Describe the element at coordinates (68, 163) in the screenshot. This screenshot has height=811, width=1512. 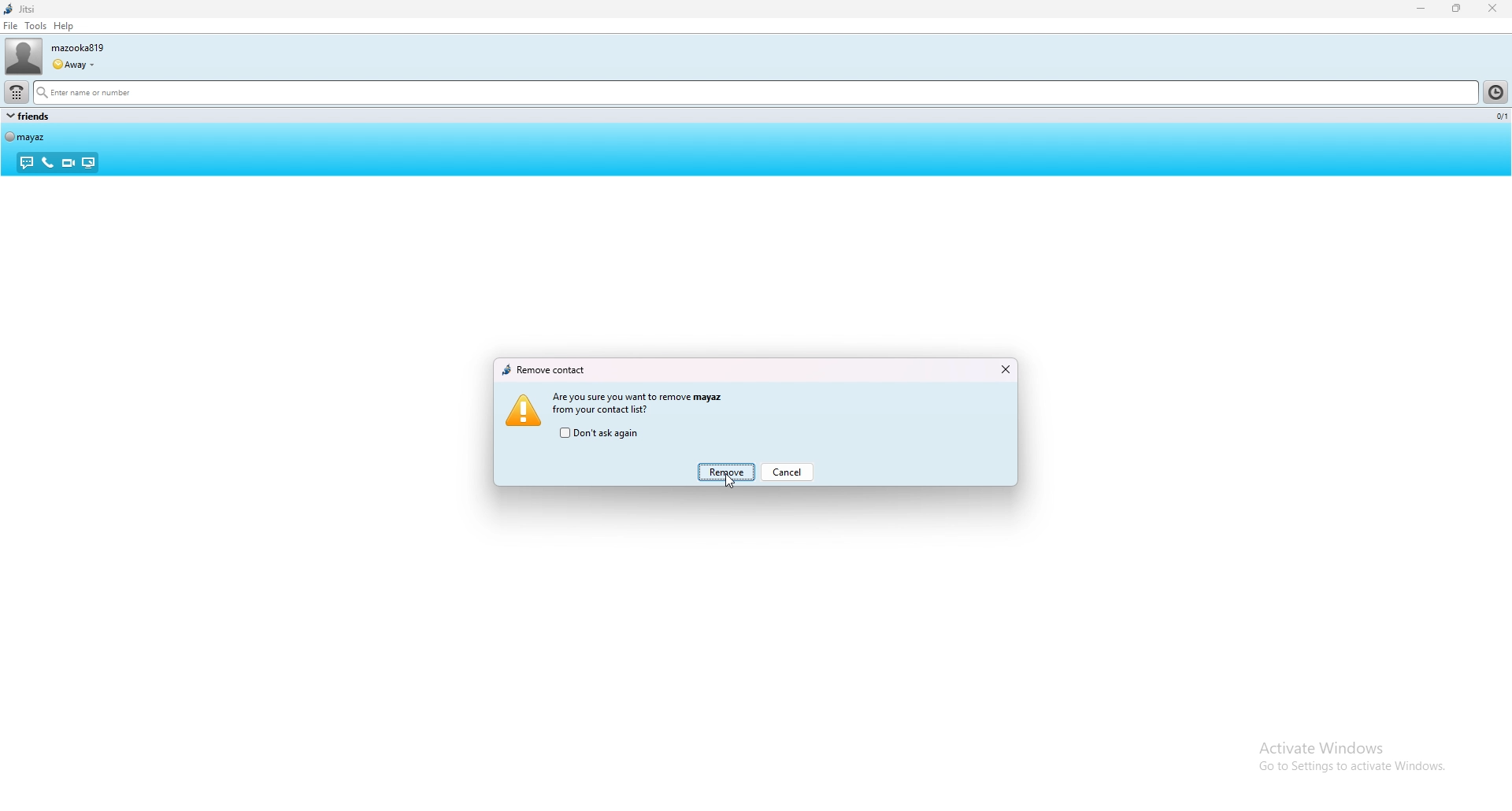
I see `video call` at that location.